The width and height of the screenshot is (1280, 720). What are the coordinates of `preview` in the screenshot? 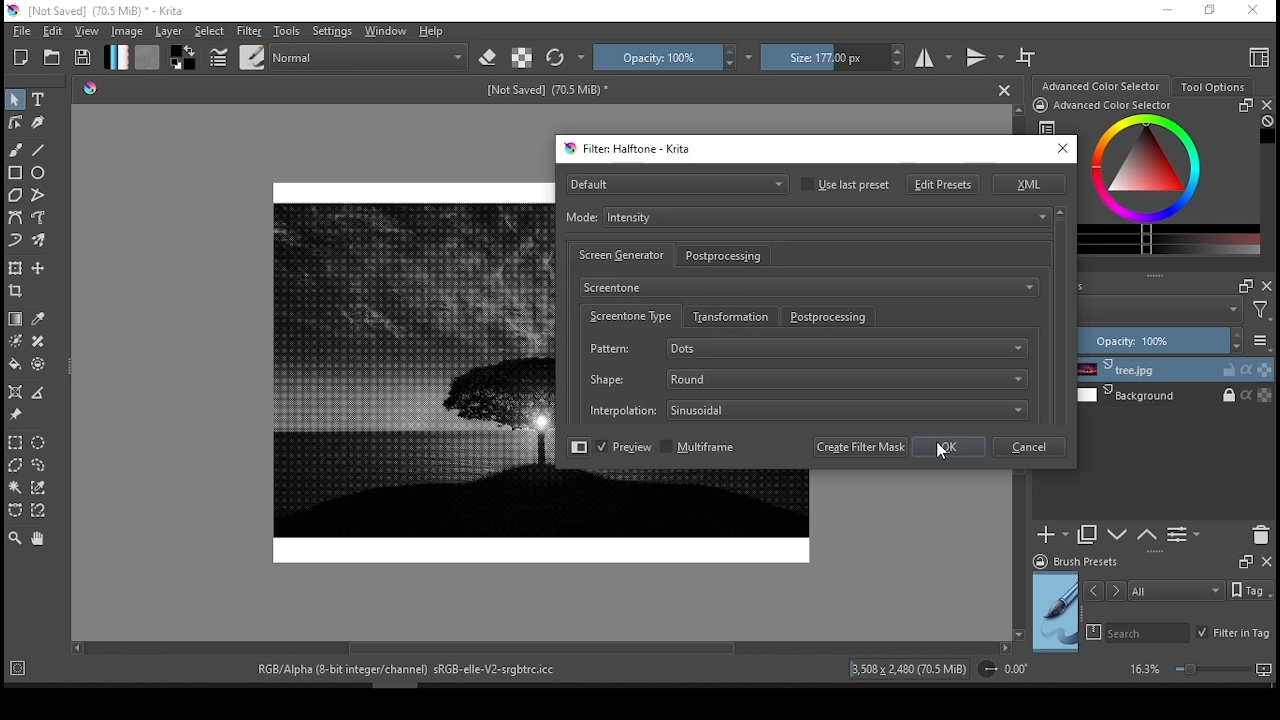 It's located at (1056, 613).